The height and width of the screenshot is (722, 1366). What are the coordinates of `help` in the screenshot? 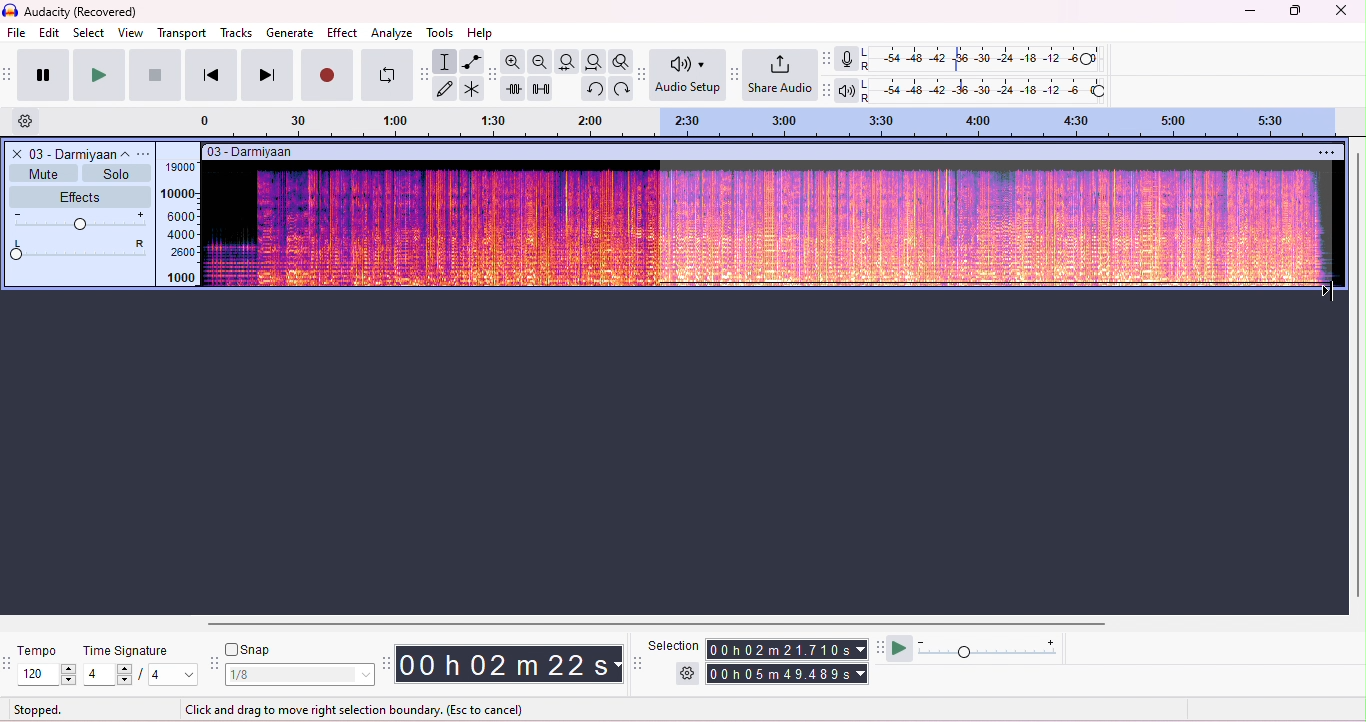 It's located at (482, 34).